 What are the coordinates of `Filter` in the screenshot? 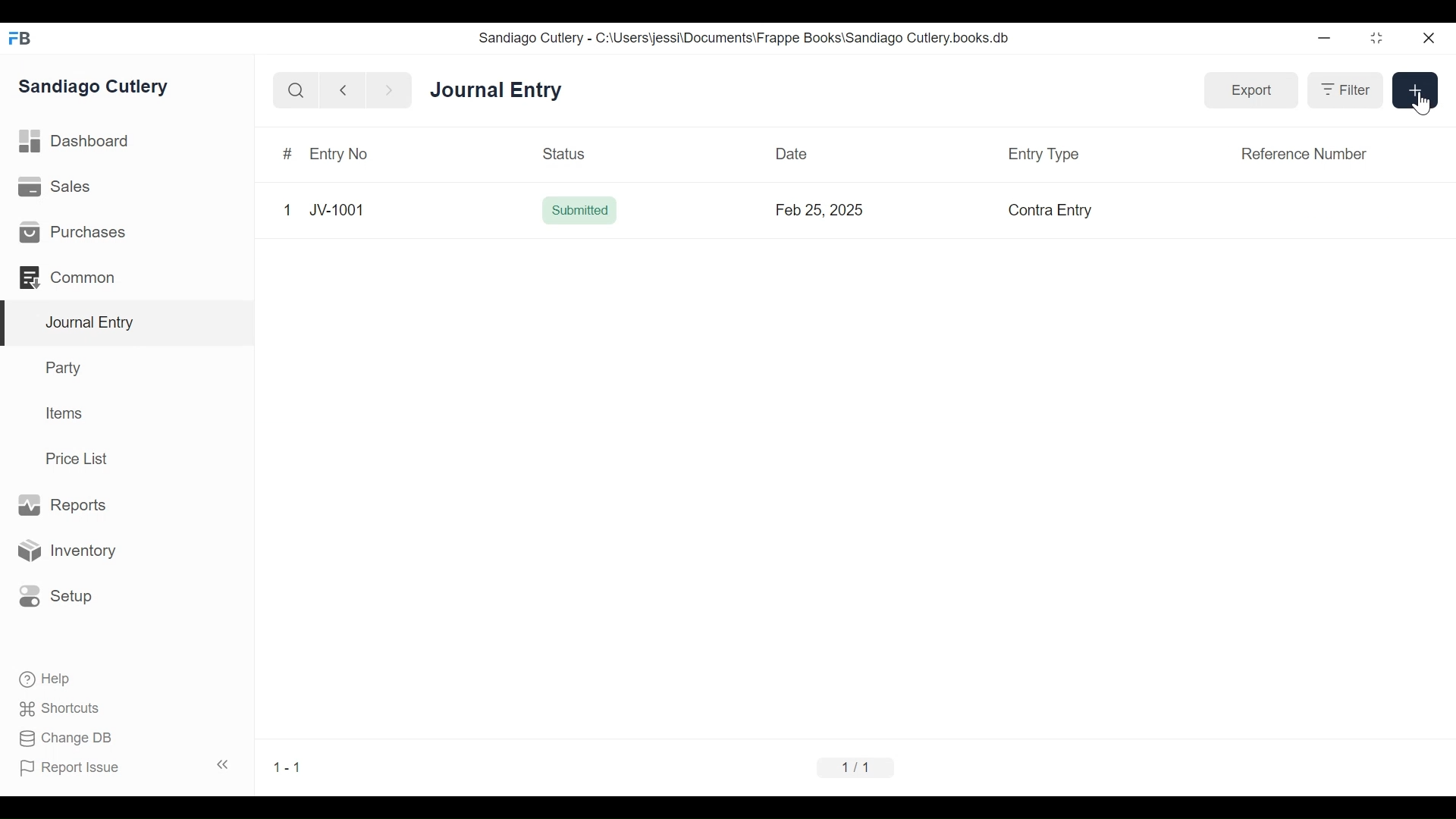 It's located at (1345, 90).